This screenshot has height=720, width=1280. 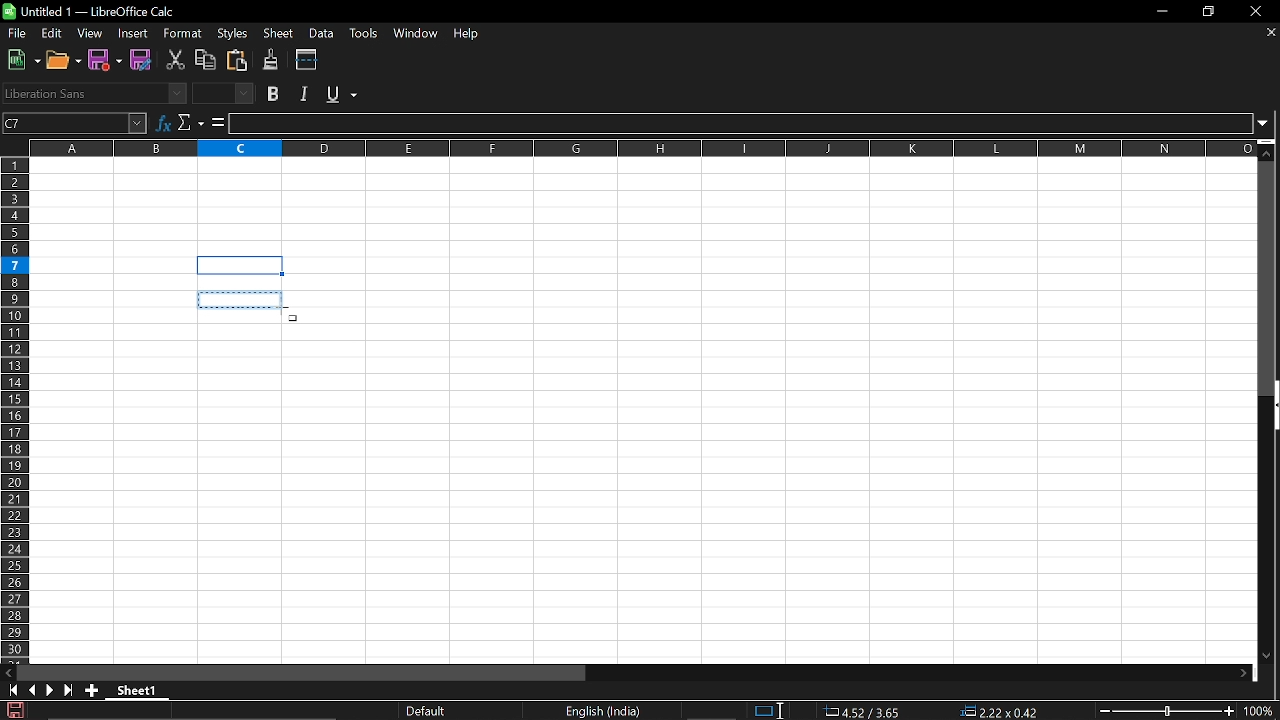 What do you see at coordinates (281, 34) in the screenshot?
I see `Sheet` at bounding box center [281, 34].